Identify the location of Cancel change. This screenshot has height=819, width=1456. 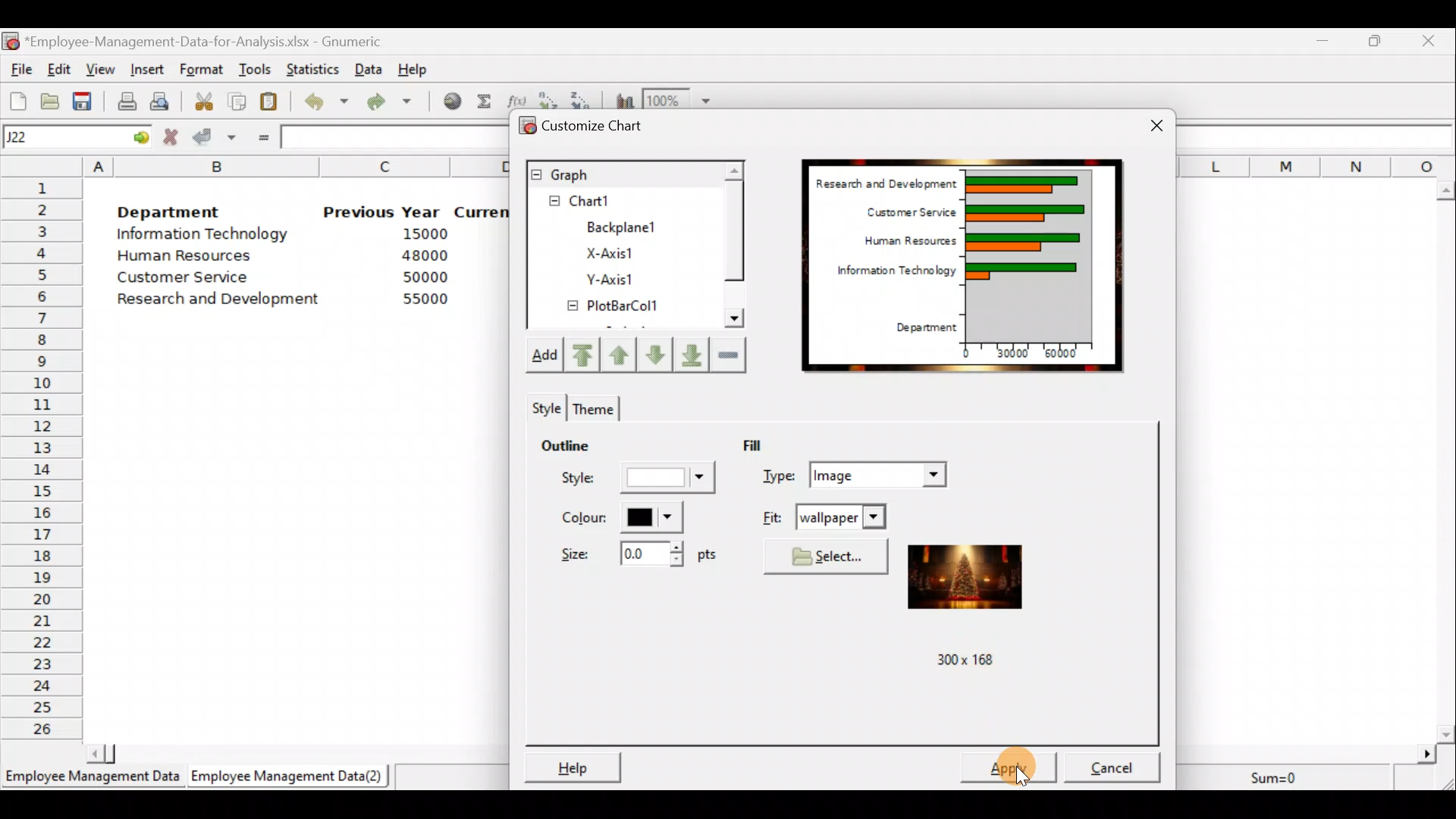
(172, 137).